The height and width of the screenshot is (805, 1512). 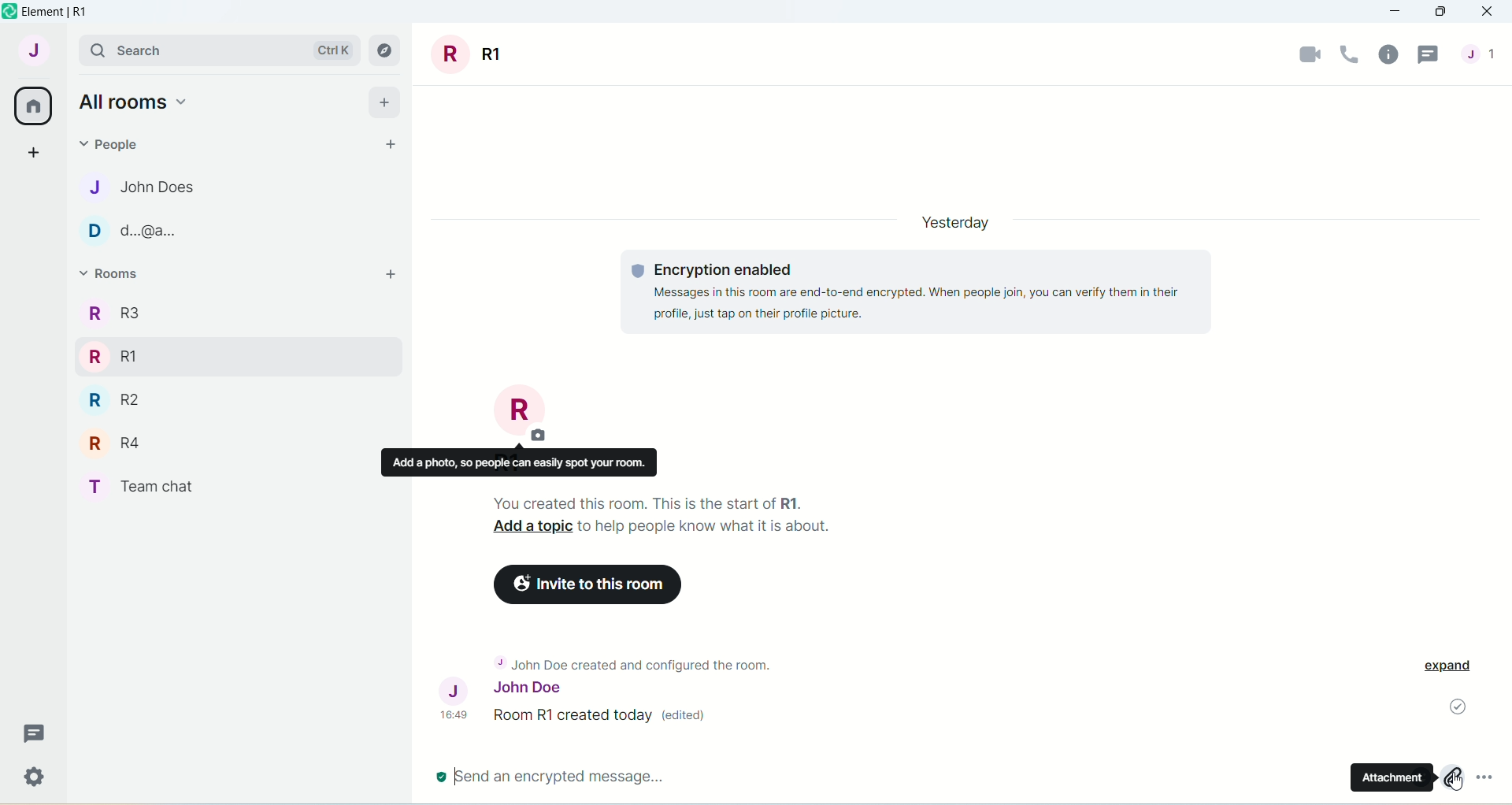 I want to click on voice call, so click(x=1349, y=56).